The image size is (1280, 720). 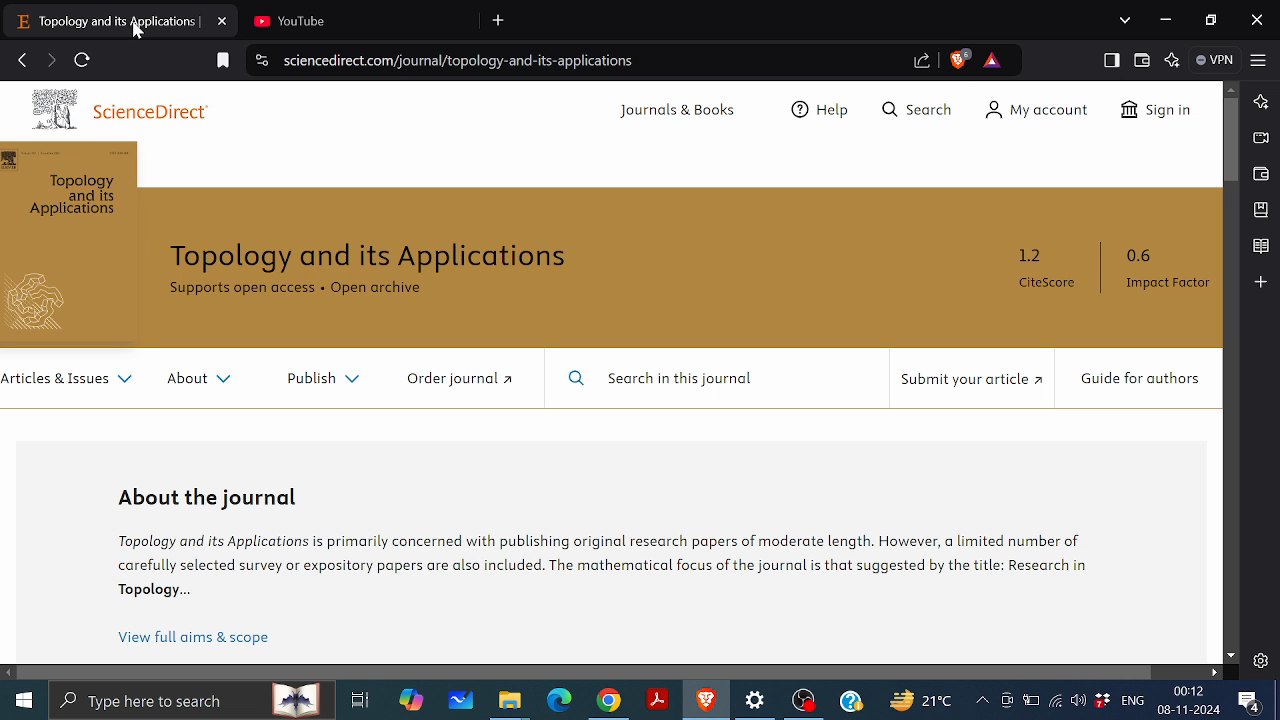 I want to click on Move right, so click(x=1213, y=672).